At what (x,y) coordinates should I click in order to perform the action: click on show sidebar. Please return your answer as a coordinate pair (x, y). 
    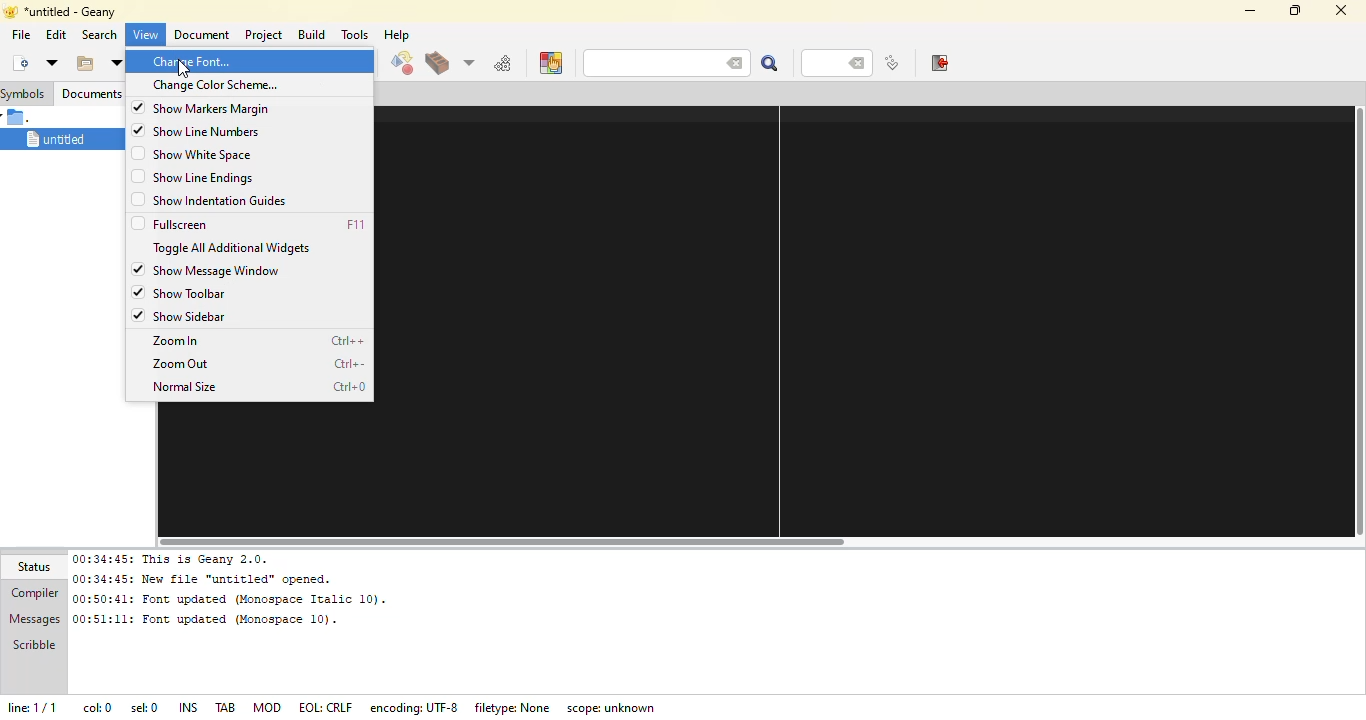
    Looking at the image, I should click on (193, 316).